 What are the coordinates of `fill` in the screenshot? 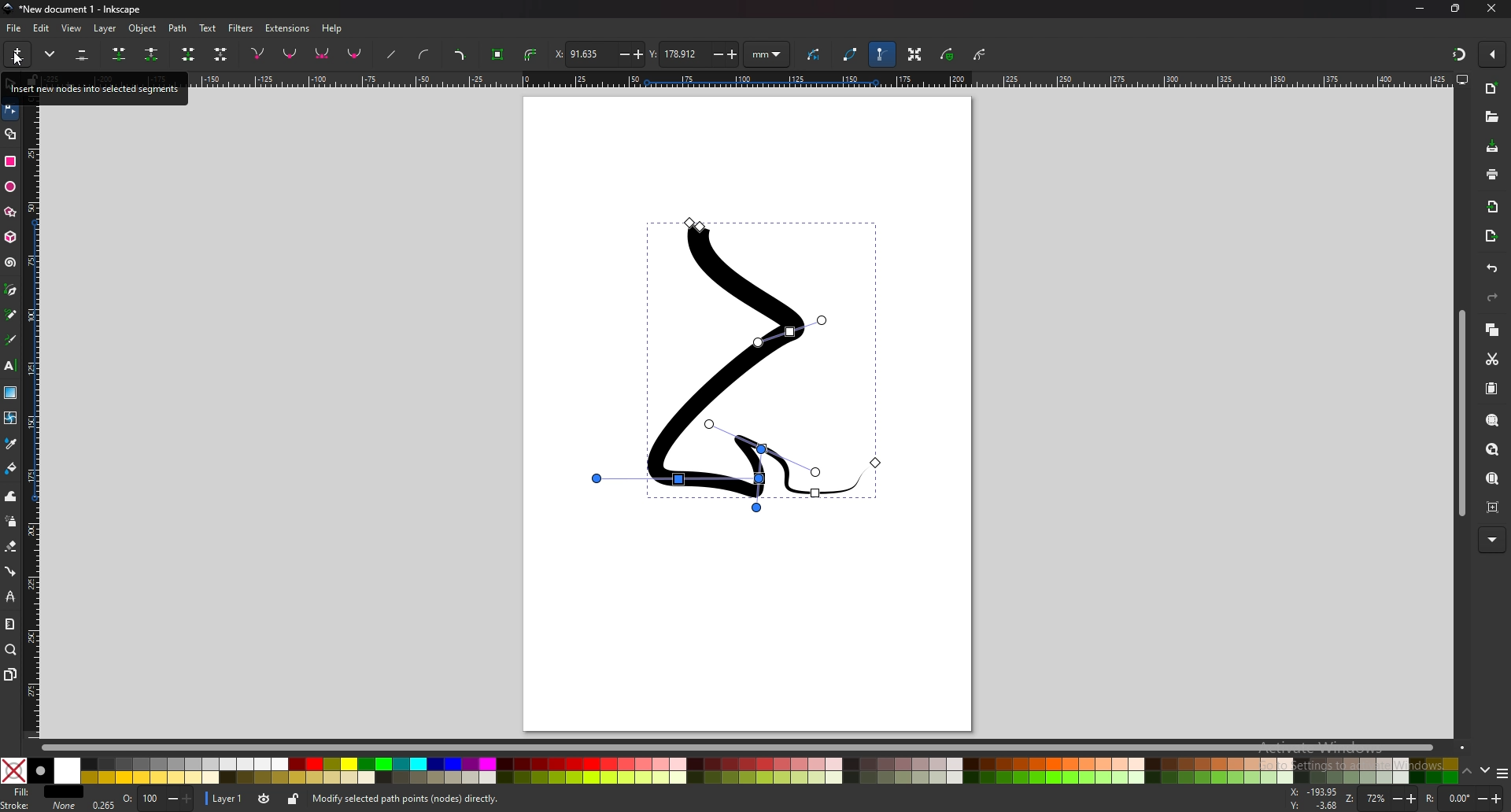 It's located at (43, 792).